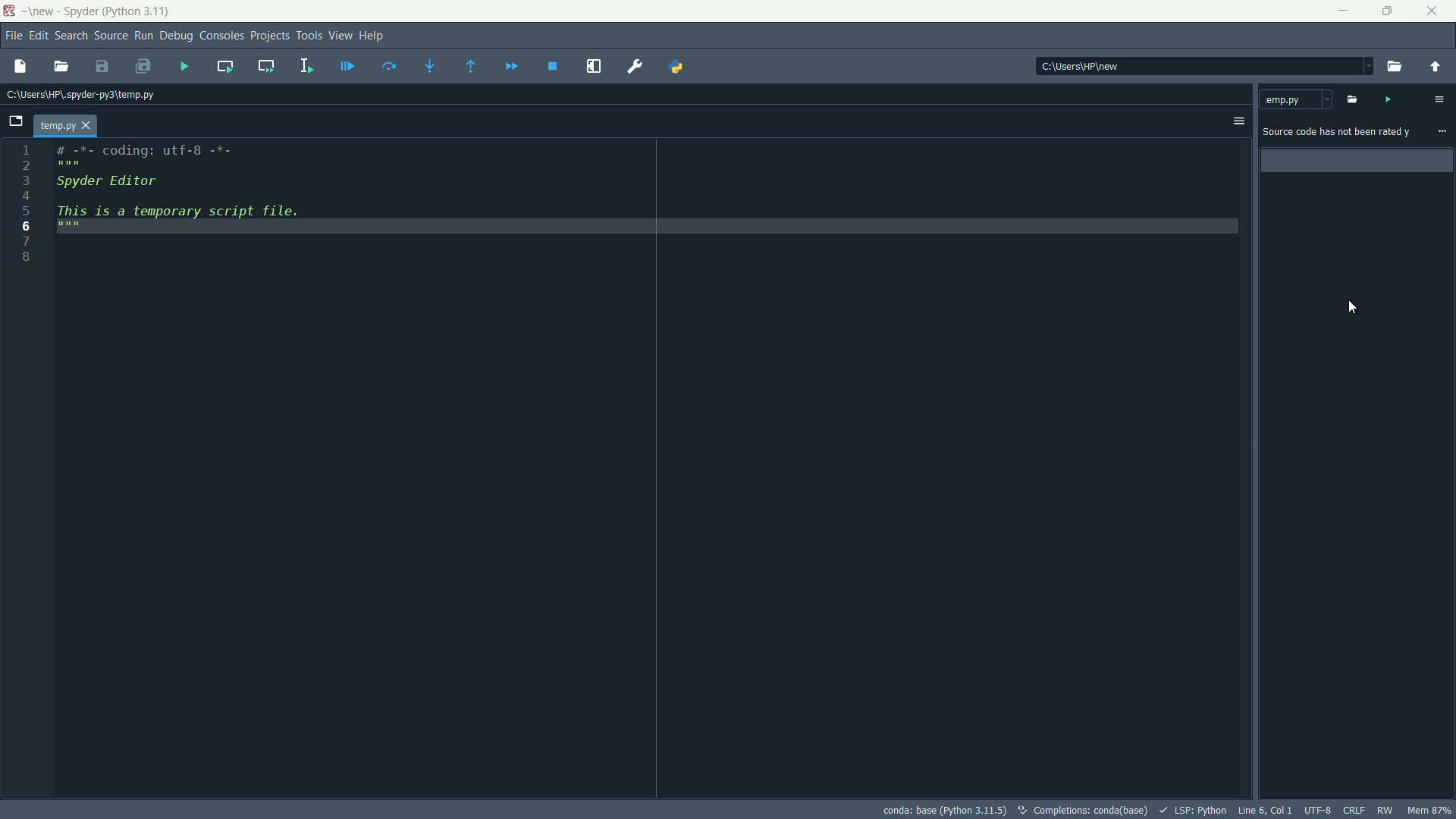  I want to click on browse directory, so click(1393, 67).